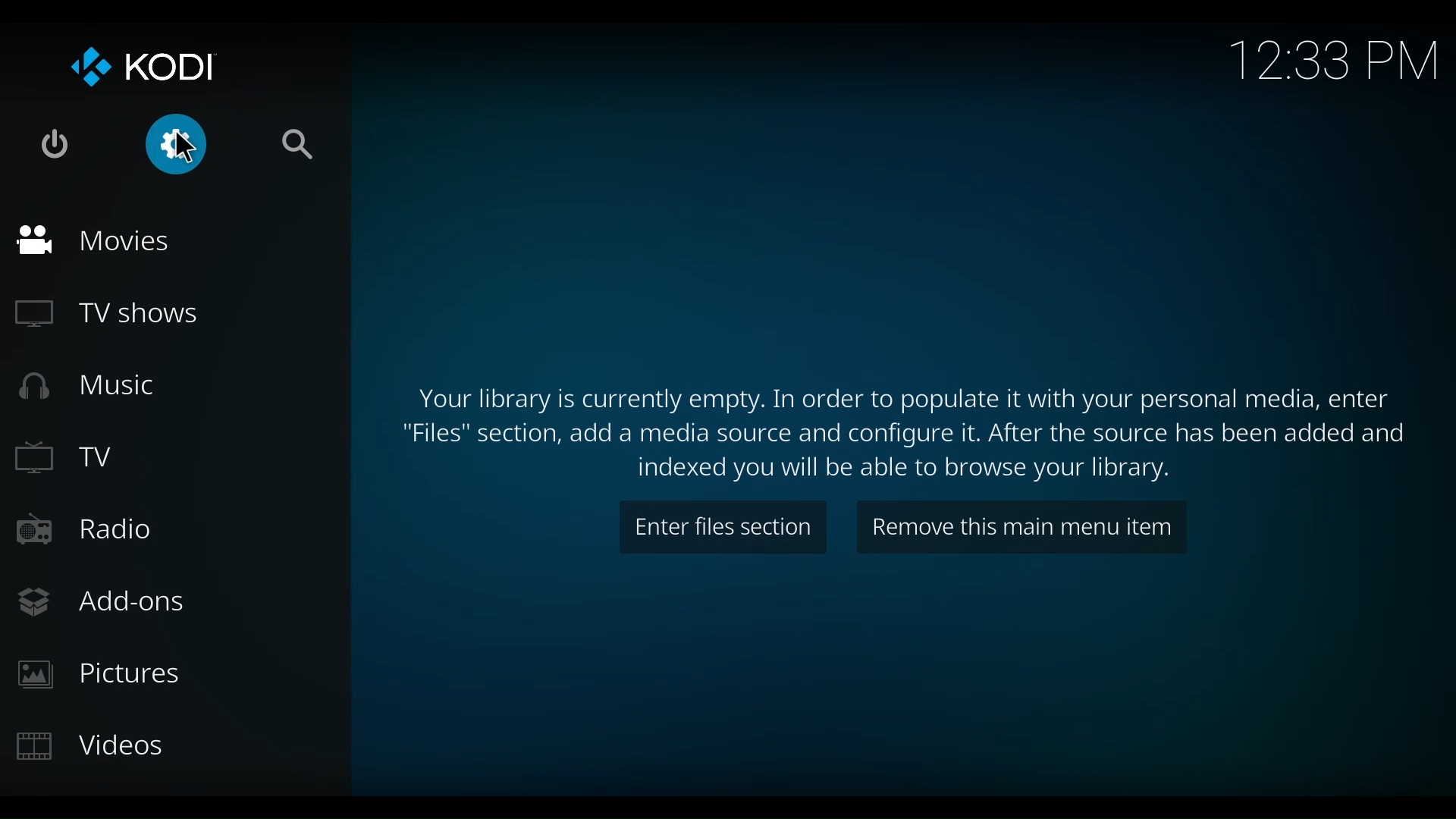 Image resolution: width=1456 pixels, height=819 pixels. Describe the element at coordinates (149, 143) in the screenshot. I see `Settings` at that location.